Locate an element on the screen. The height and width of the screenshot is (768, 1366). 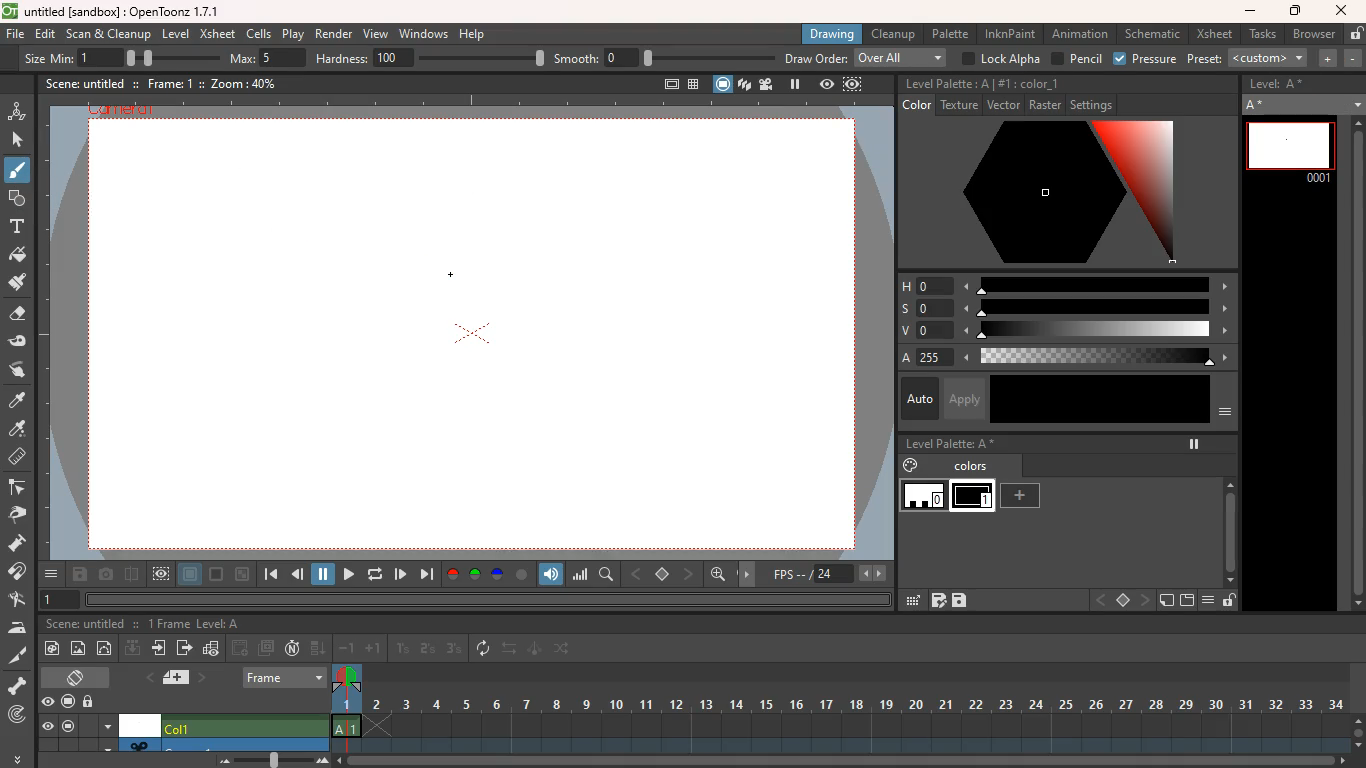
frame is located at coordinates (346, 709).